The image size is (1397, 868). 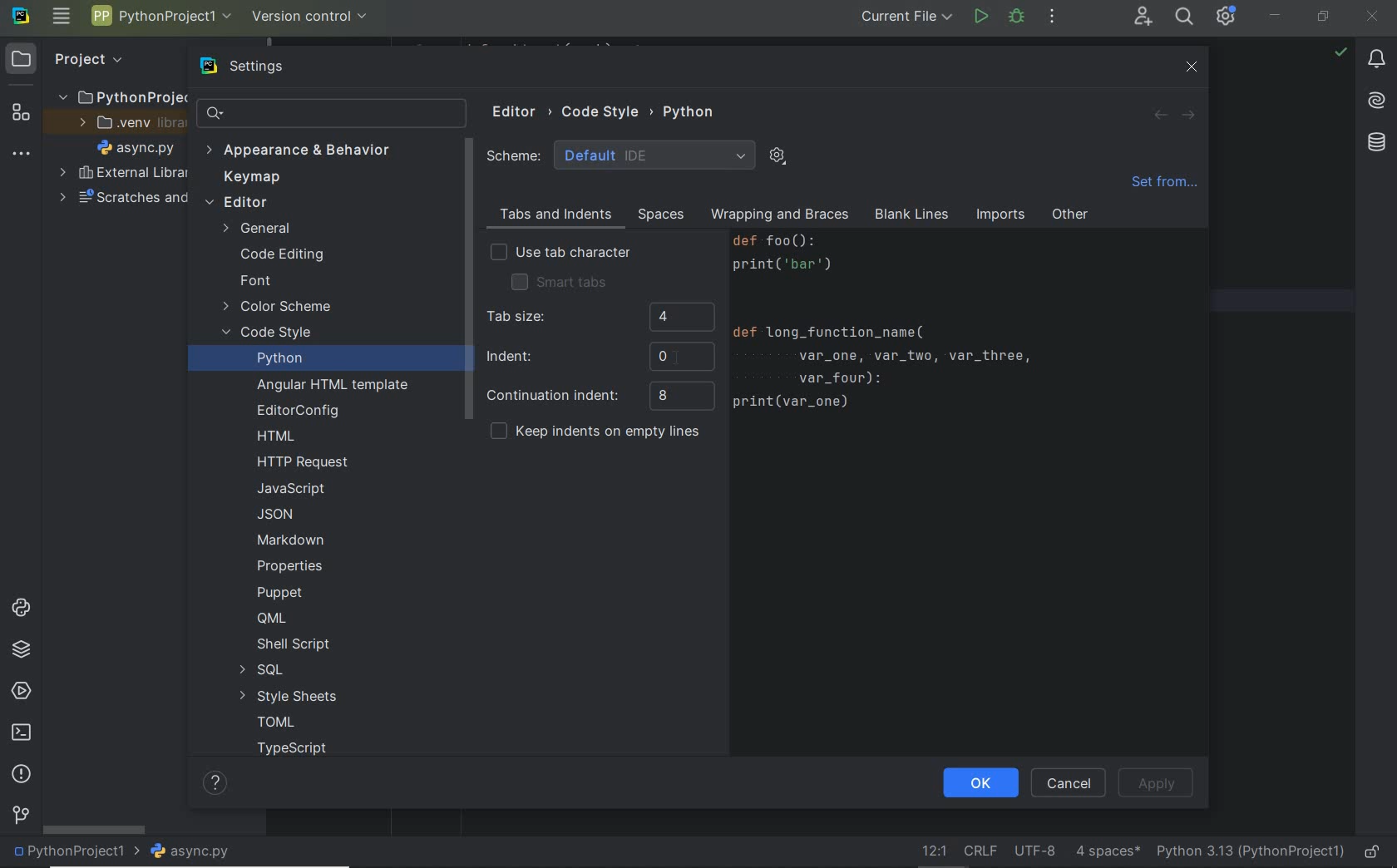 I want to click on python packages, so click(x=24, y=652).